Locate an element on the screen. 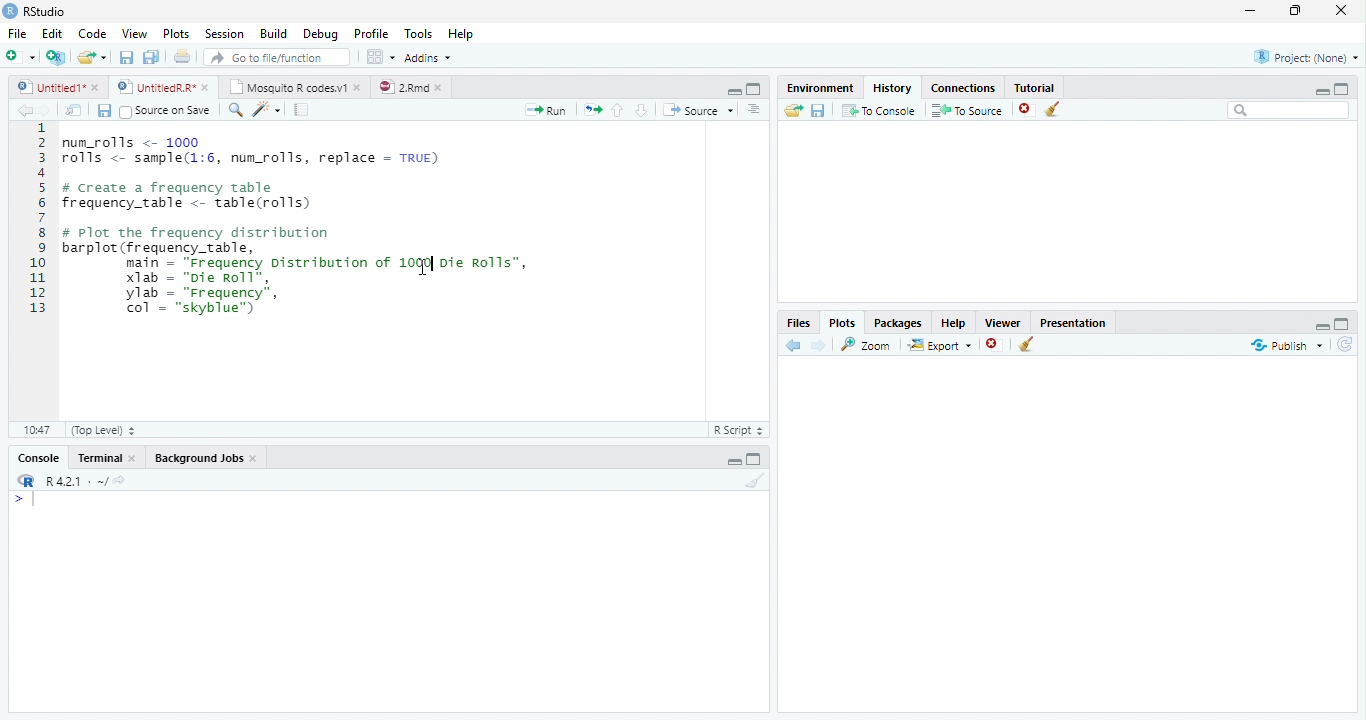  Profile is located at coordinates (374, 33).